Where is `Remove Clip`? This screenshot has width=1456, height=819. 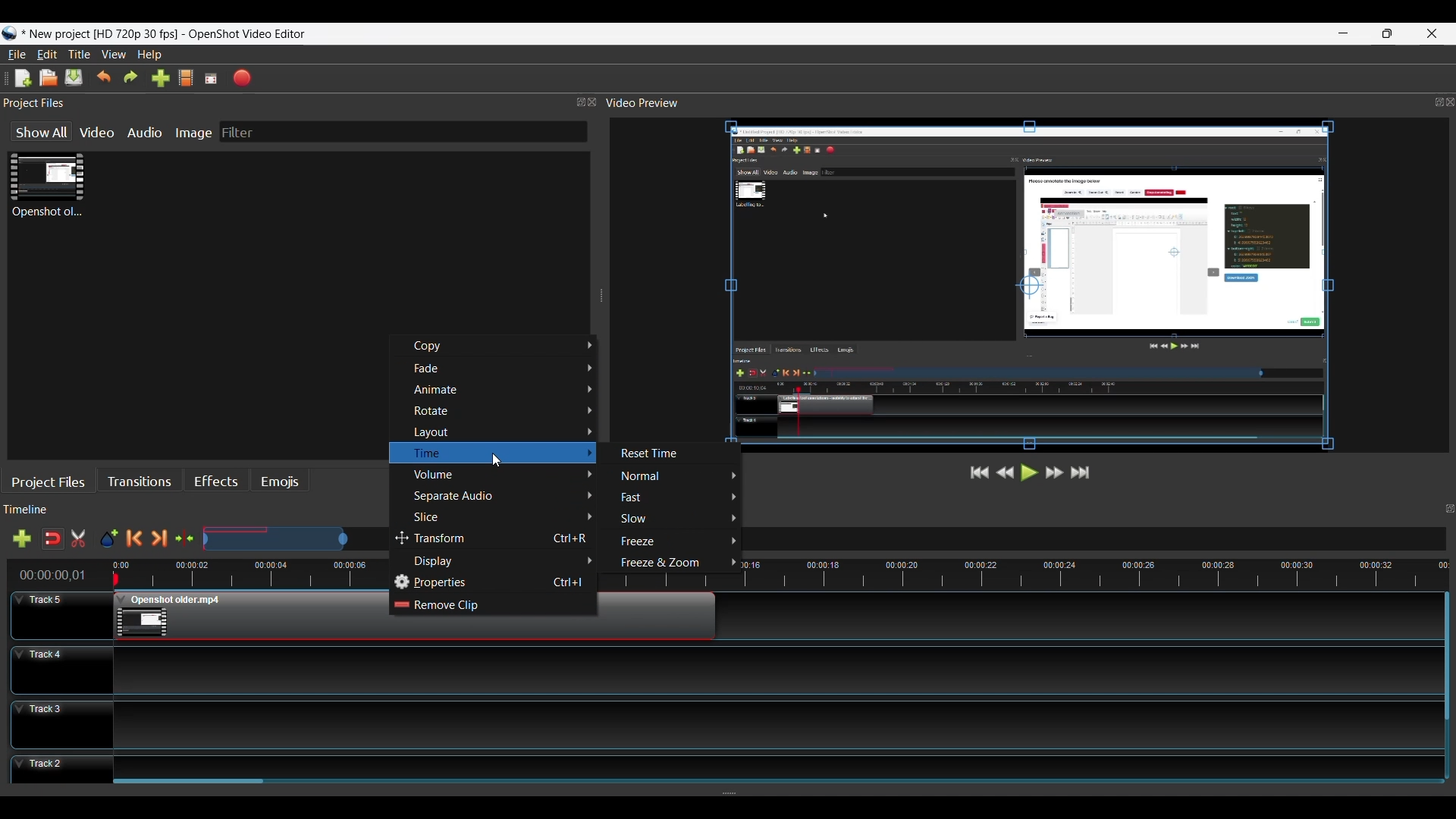 Remove Clip is located at coordinates (491, 606).